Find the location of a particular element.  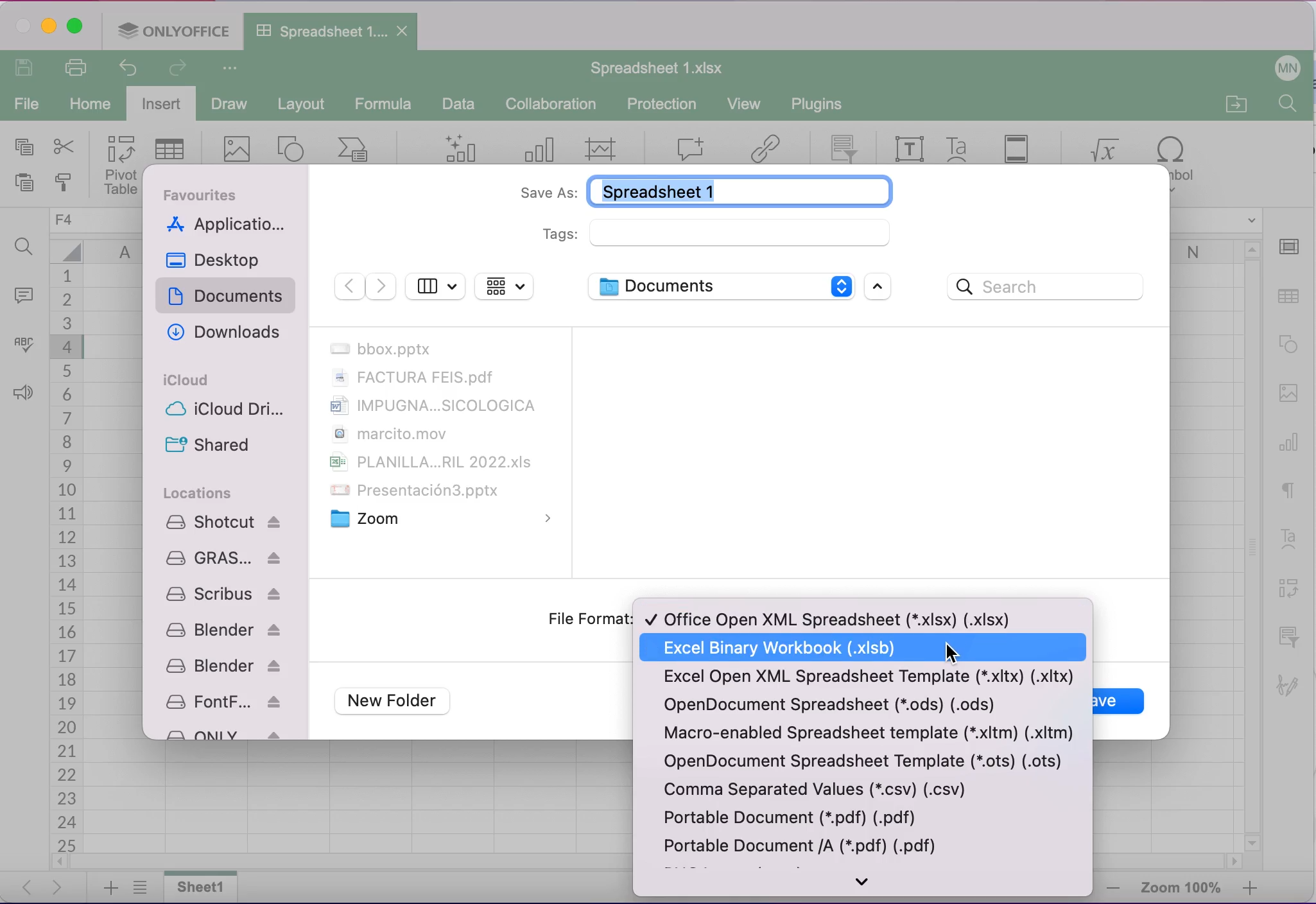

documents dropdown is located at coordinates (718, 286).